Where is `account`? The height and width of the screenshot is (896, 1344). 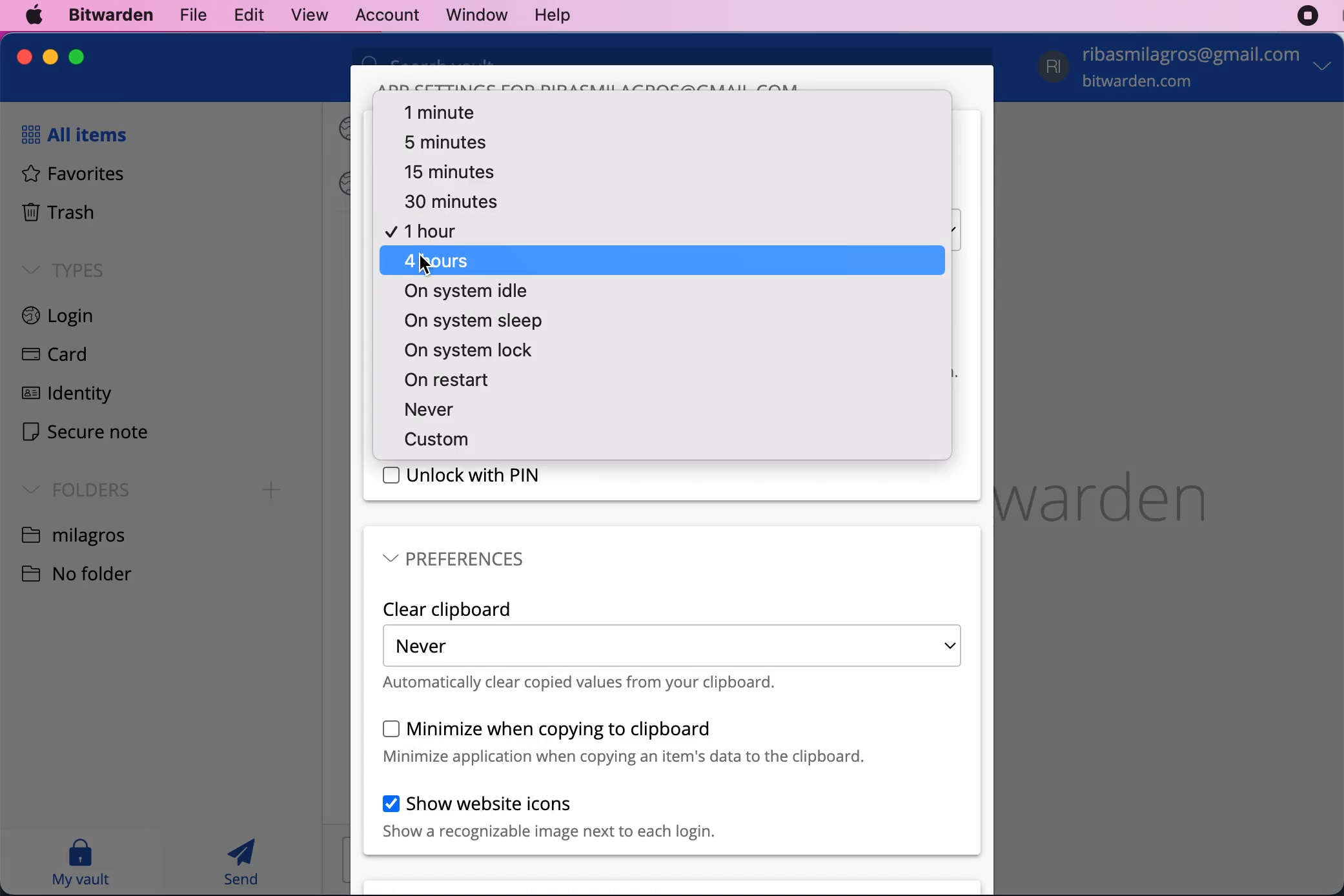
account is located at coordinates (382, 14).